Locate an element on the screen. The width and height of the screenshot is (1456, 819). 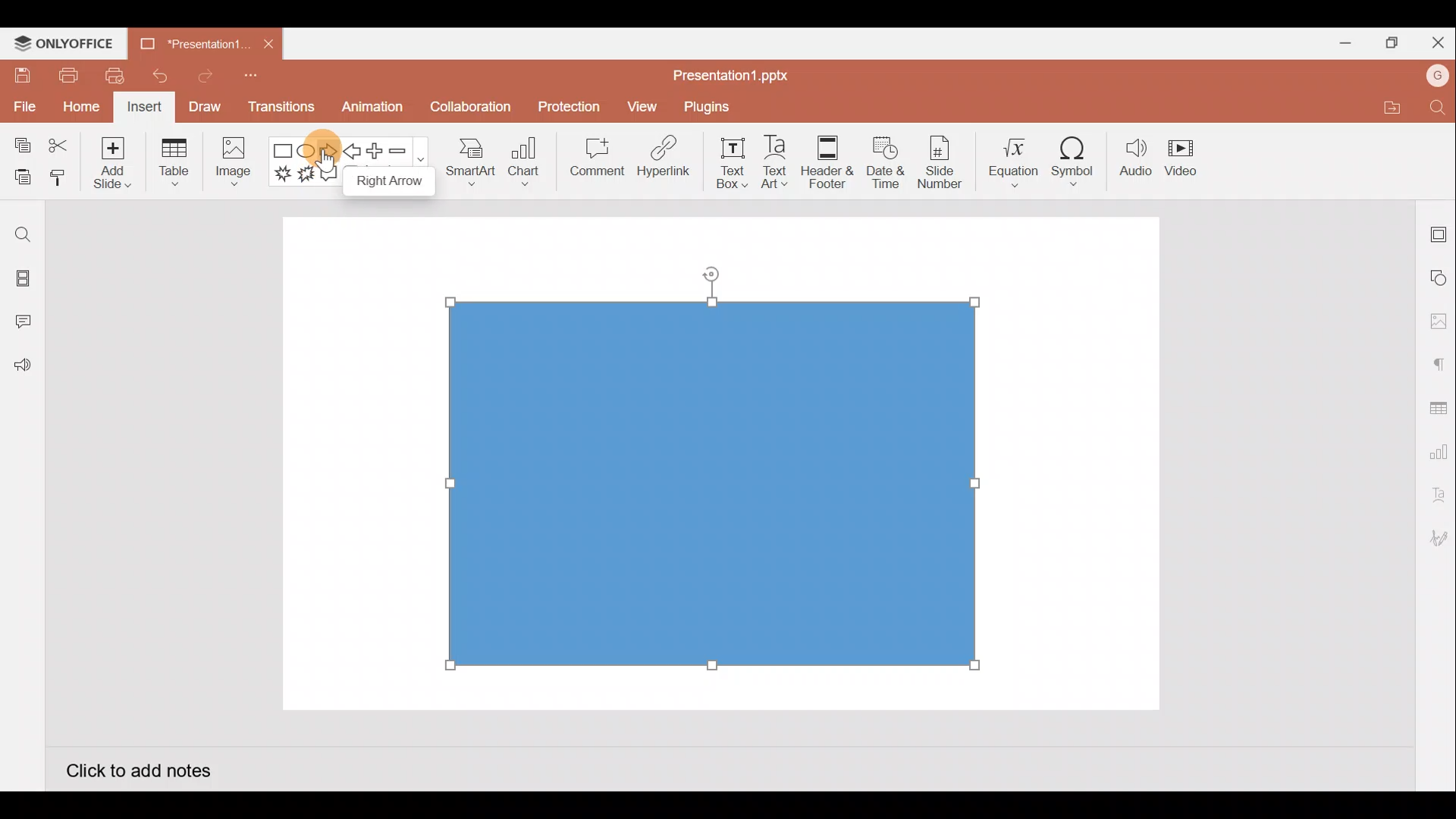
Right arrow is located at coordinates (383, 180).